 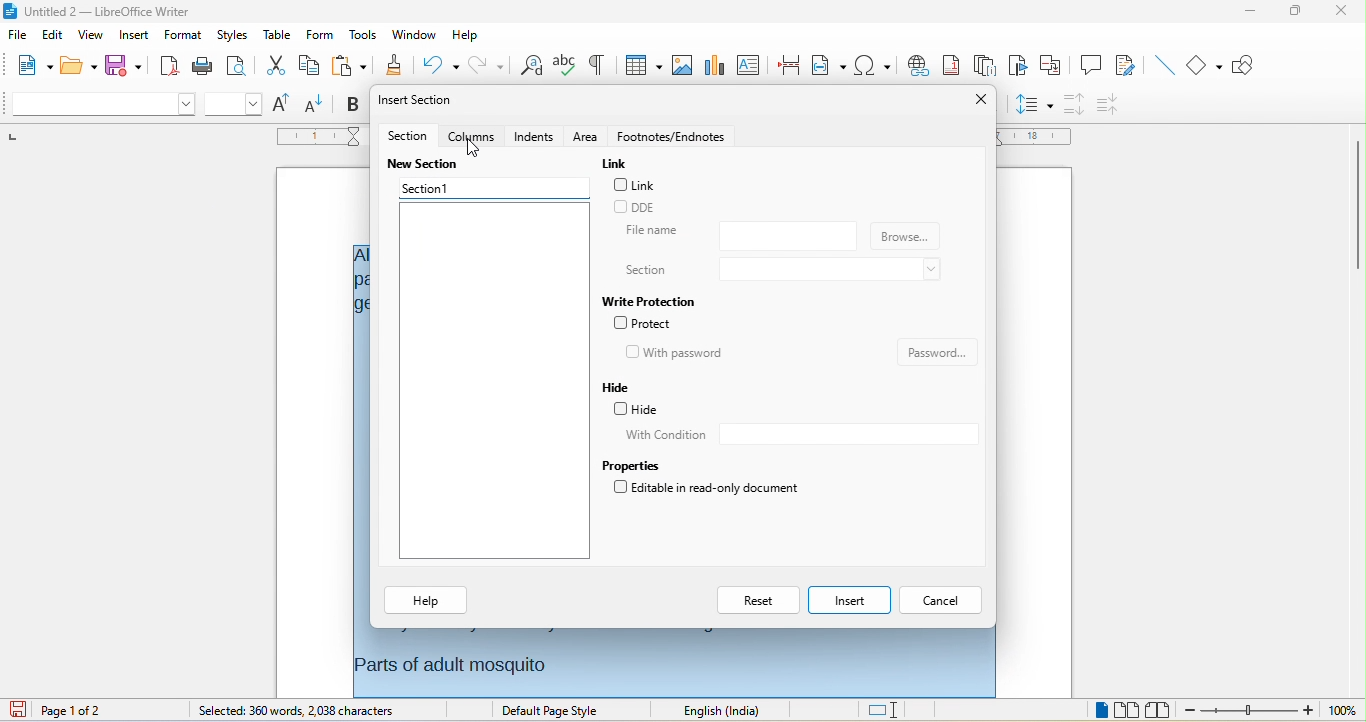 What do you see at coordinates (233, 34) in the screenshot?
I see `styles` at bounding box center [233, 34].